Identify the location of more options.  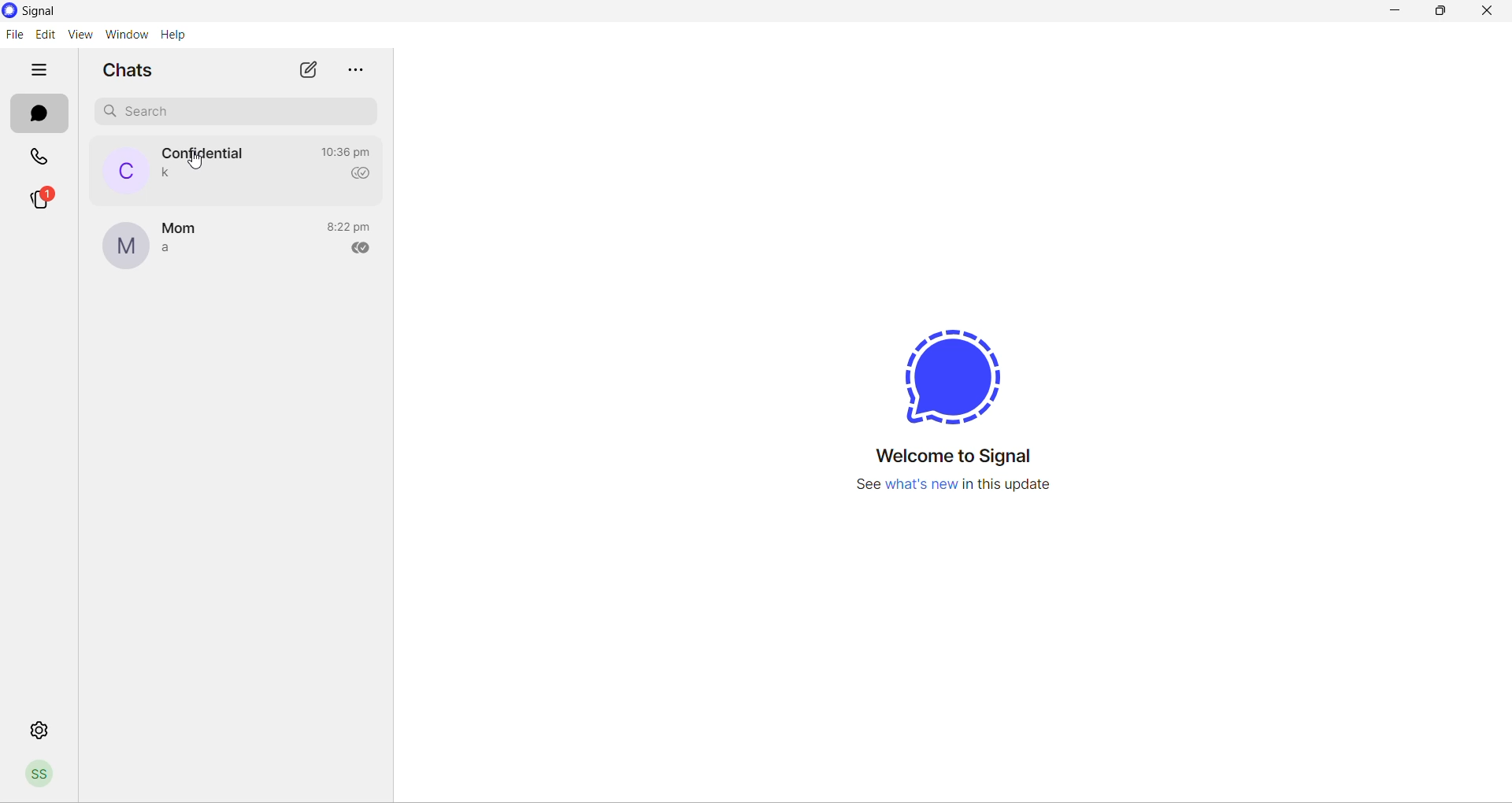
(355, 69).